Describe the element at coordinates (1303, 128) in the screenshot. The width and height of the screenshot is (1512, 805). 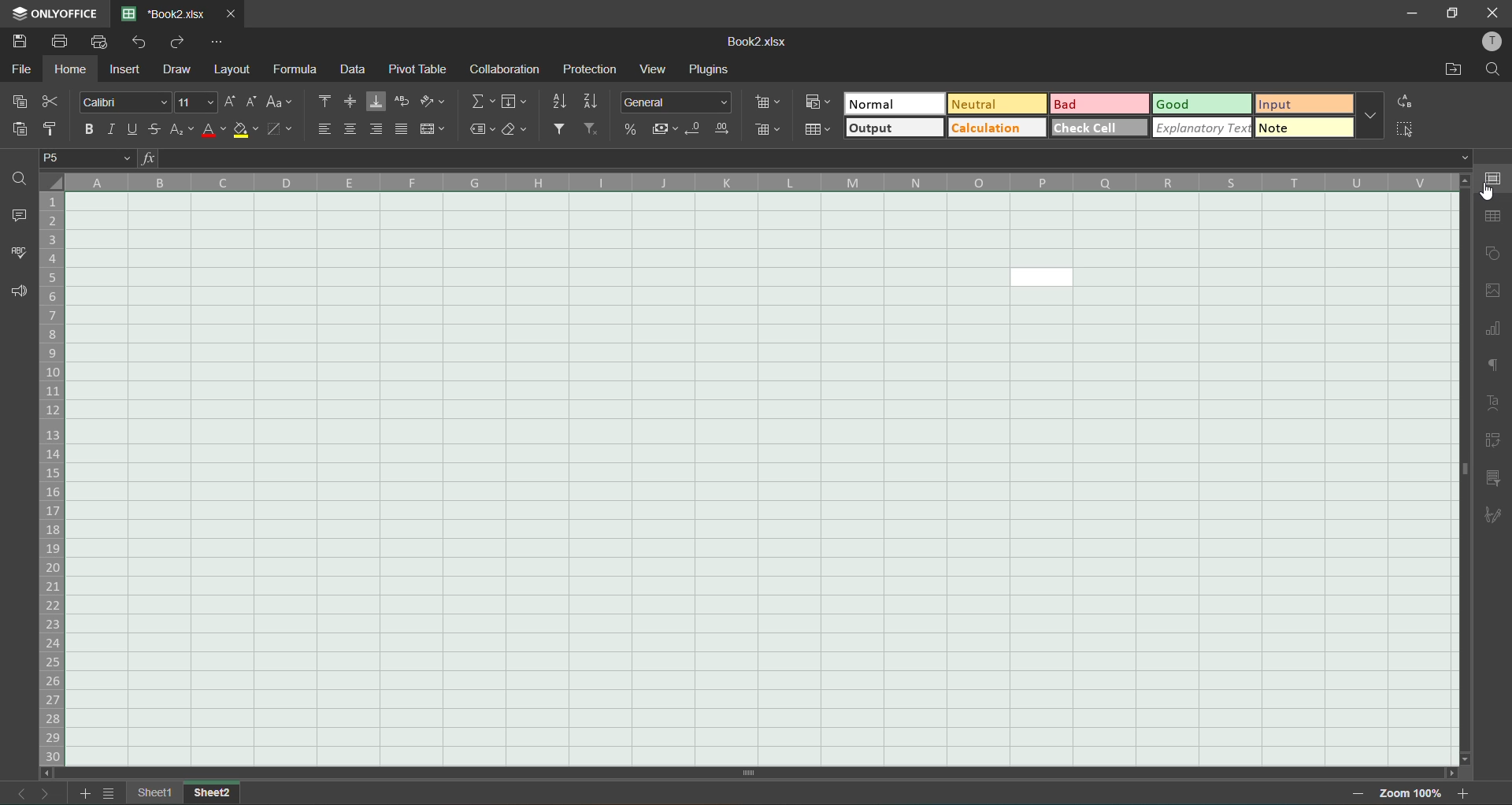
I see `note` at that location.